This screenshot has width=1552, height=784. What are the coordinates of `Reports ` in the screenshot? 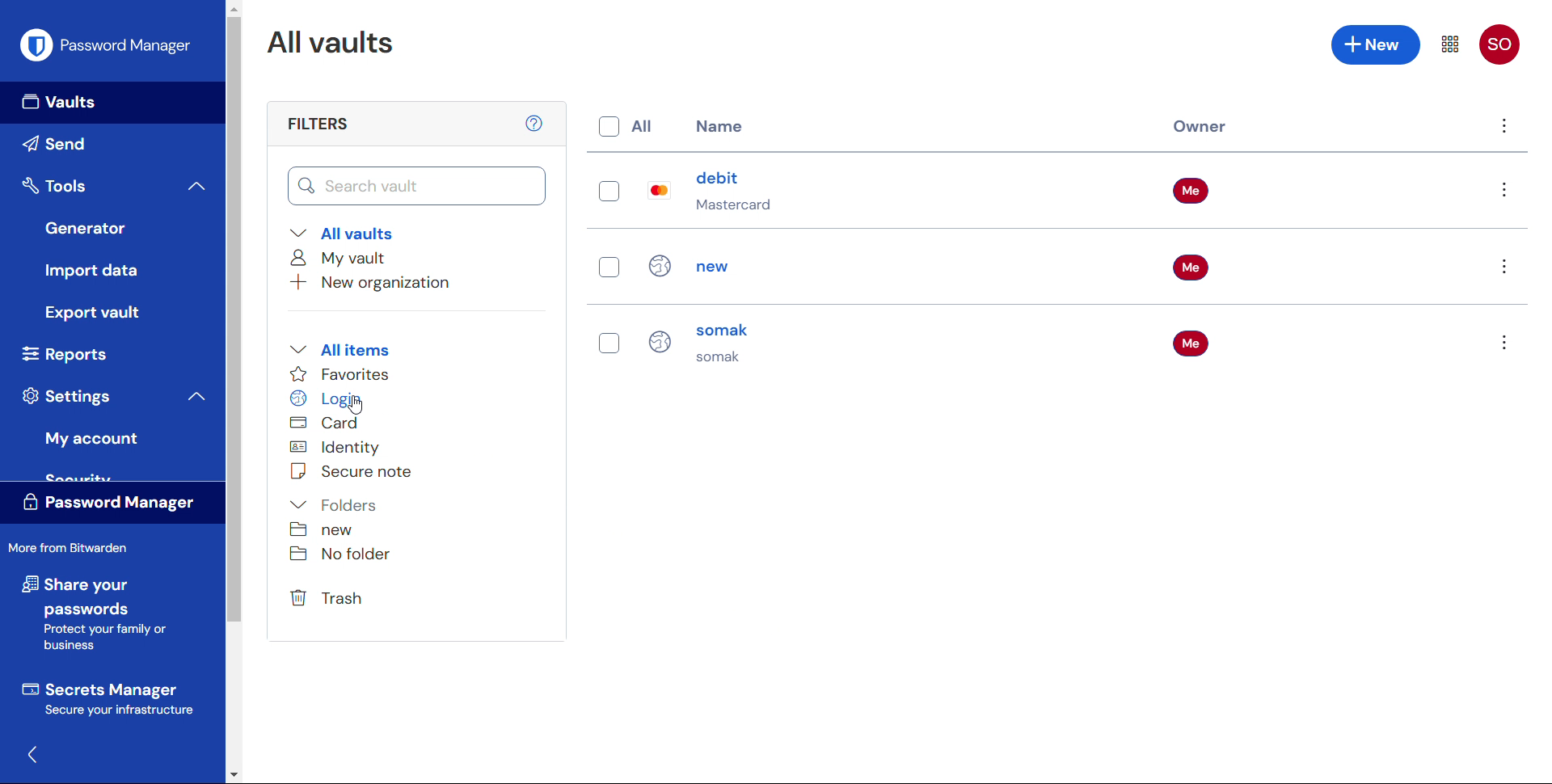 It's located at (67, 353).